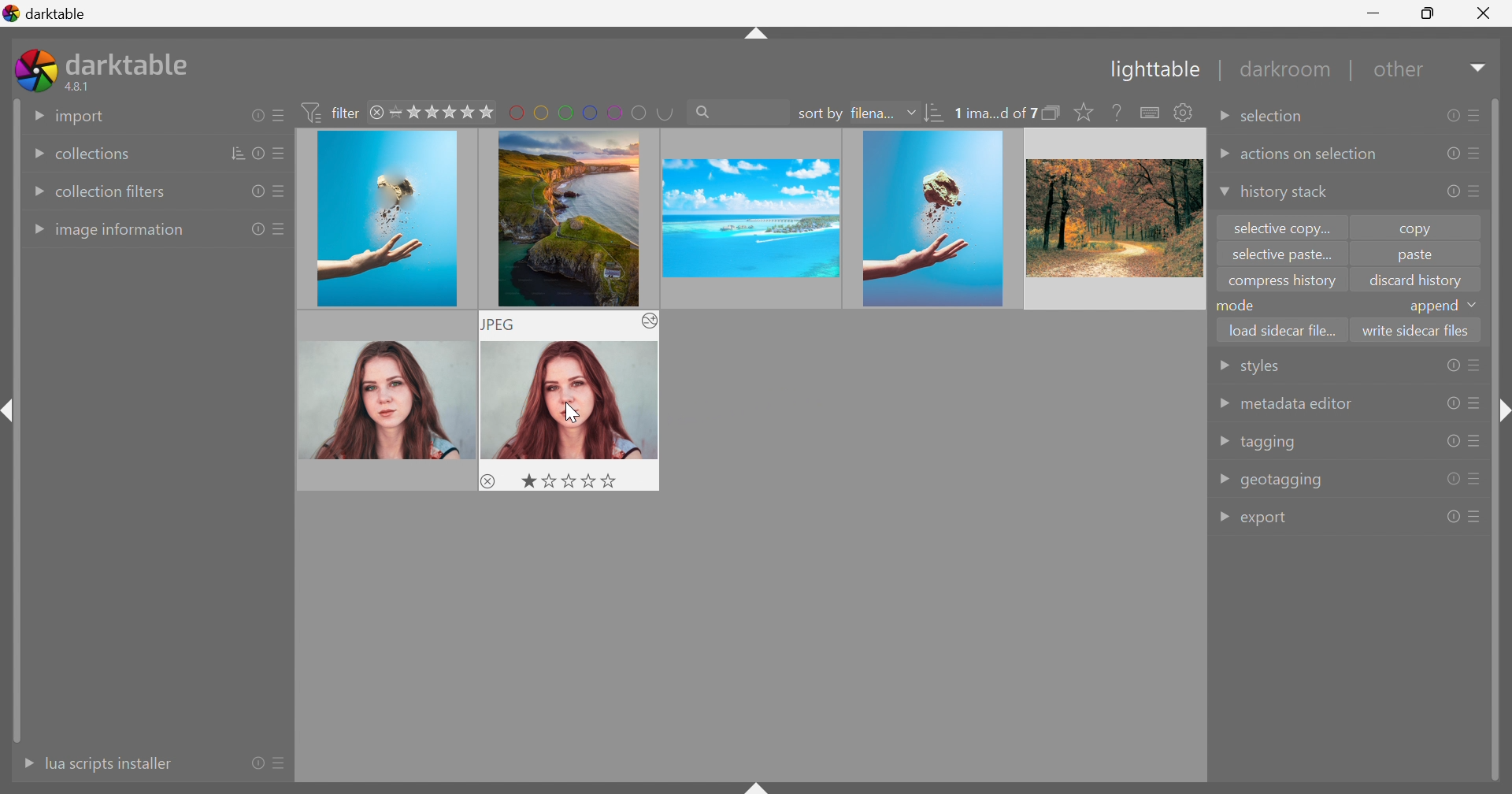 The width and height of the screenshot is (1512, 794). Describe the element at coordinates (591, 111) in the screenshot. I see `filter by images color label` at that location.